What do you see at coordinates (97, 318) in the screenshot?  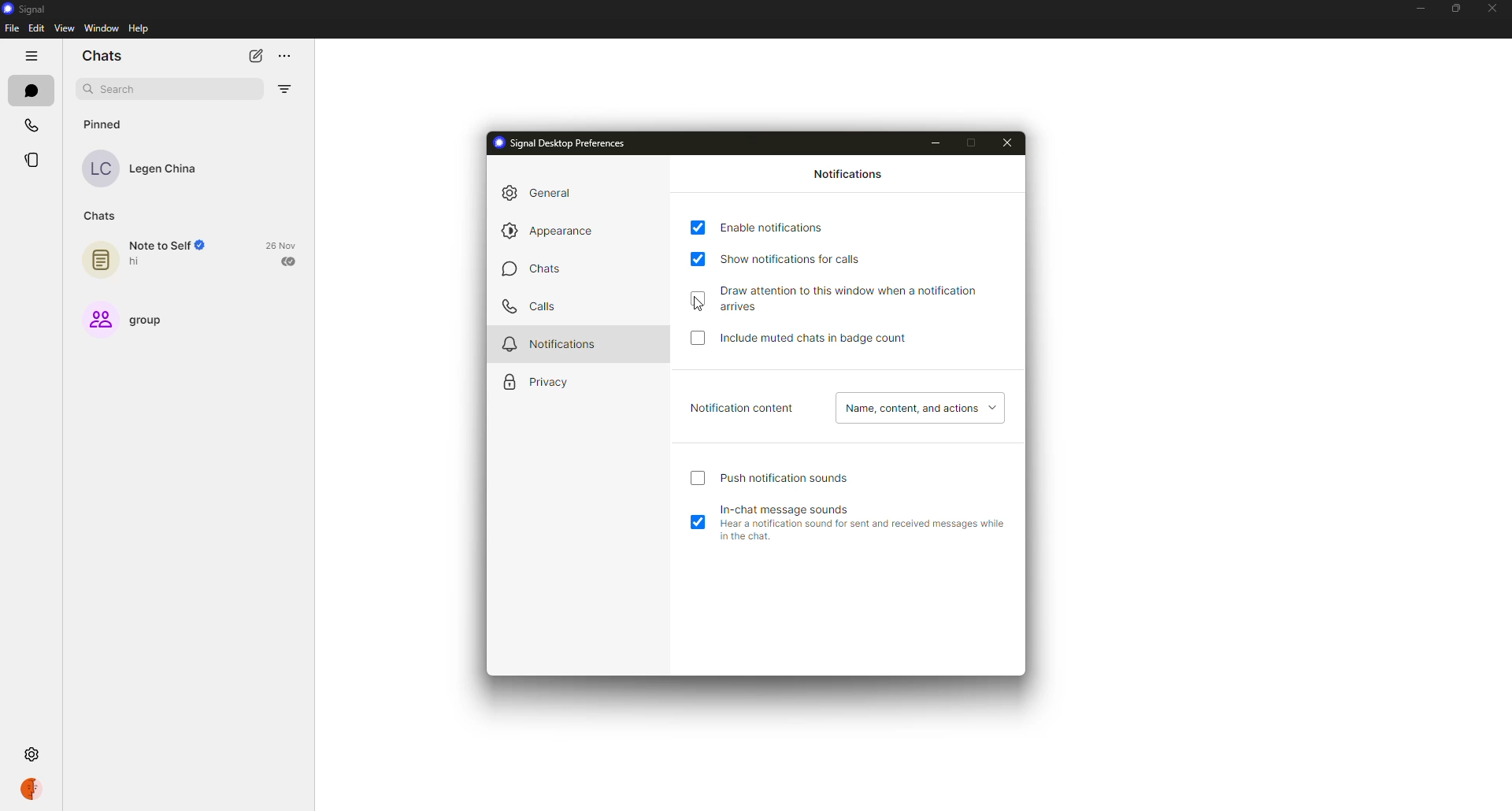 I see `Group Icon` at bounding box center [97, 318].